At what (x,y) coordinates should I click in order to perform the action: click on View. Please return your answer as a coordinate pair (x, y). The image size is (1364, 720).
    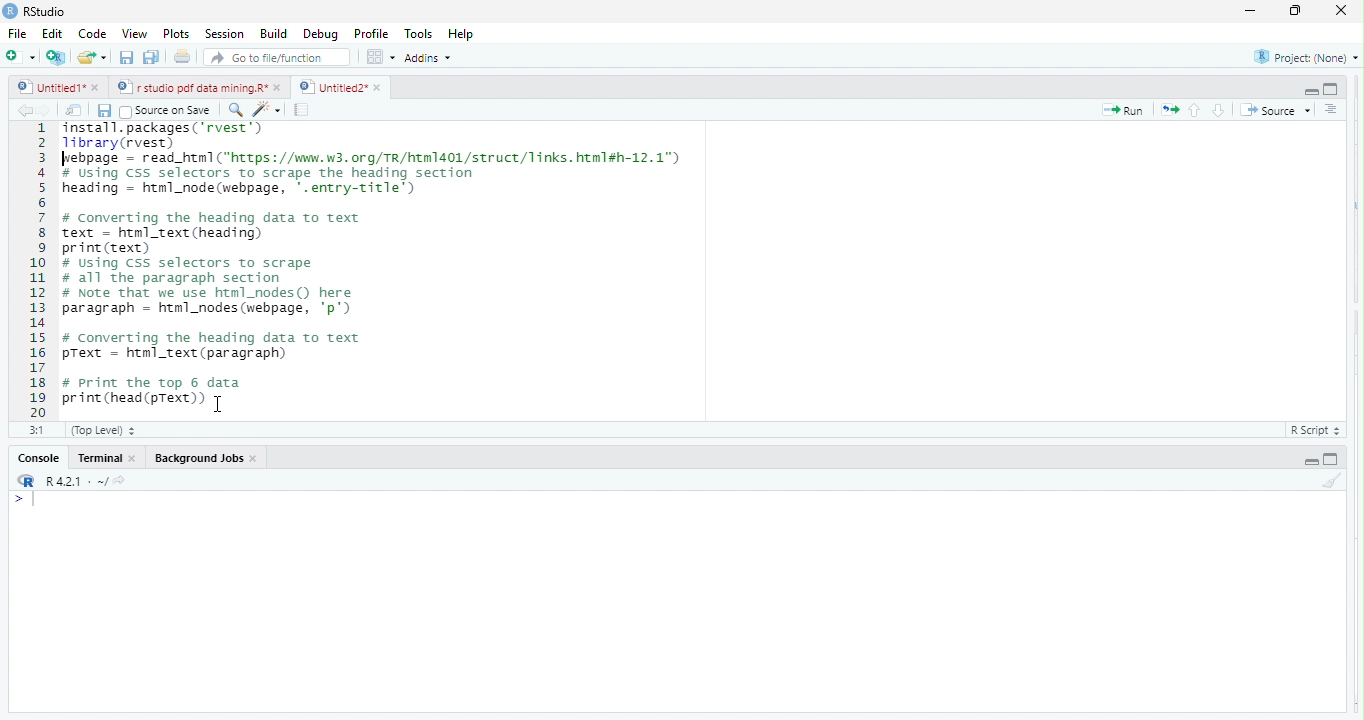
    Looking at the image, I should click on (133, 35).